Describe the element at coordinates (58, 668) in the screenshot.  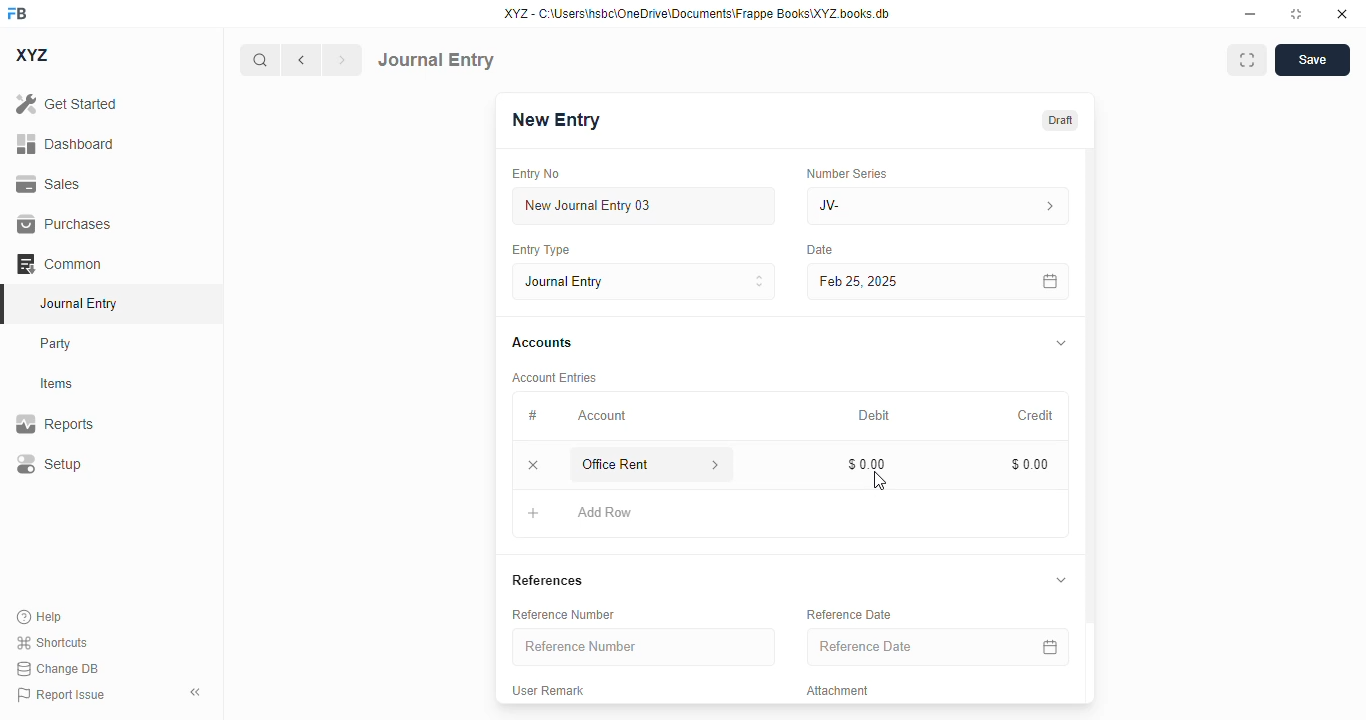
I see `change DB` at that location.